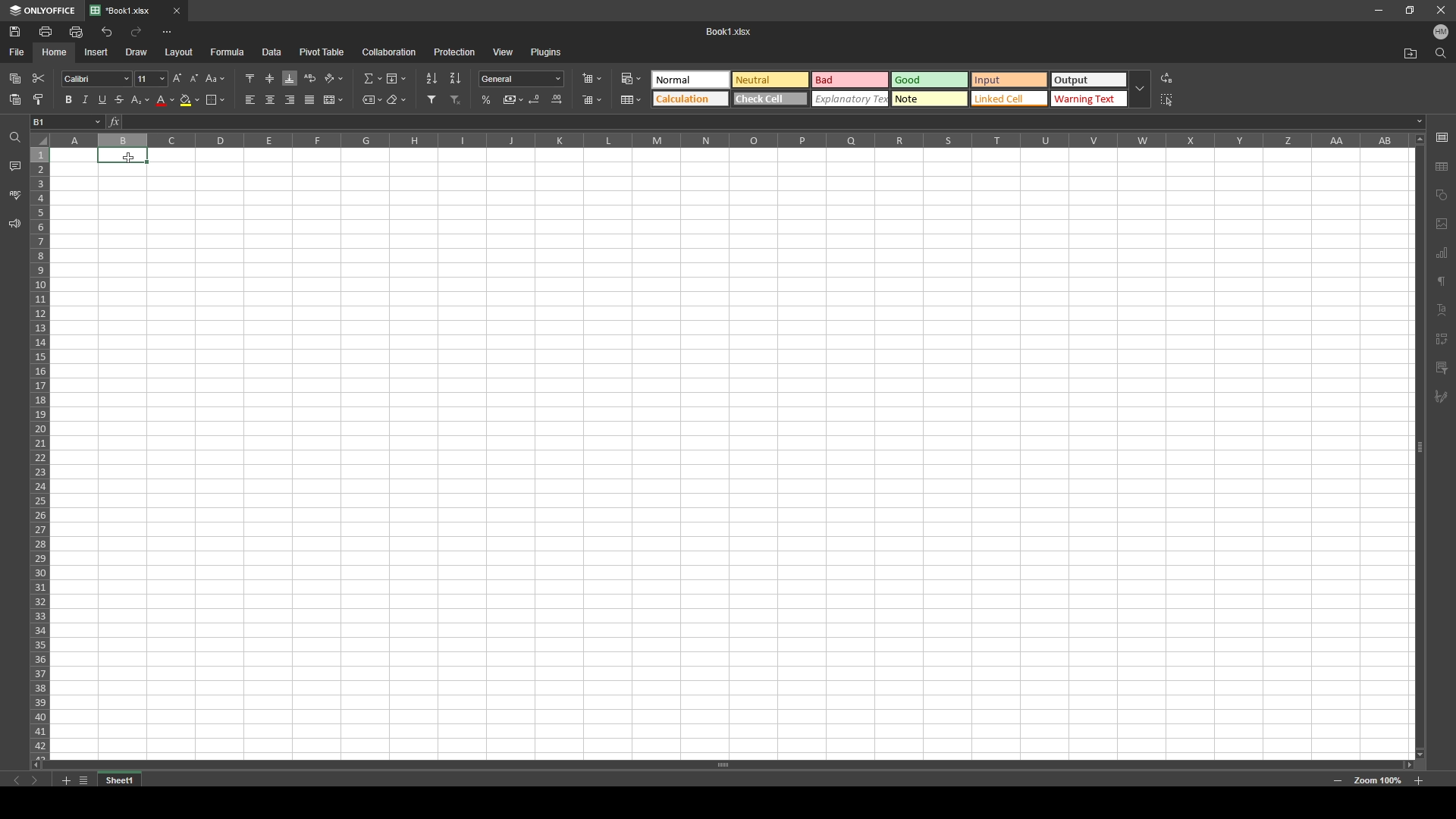  I want to click on photos, so click(1442, 224).